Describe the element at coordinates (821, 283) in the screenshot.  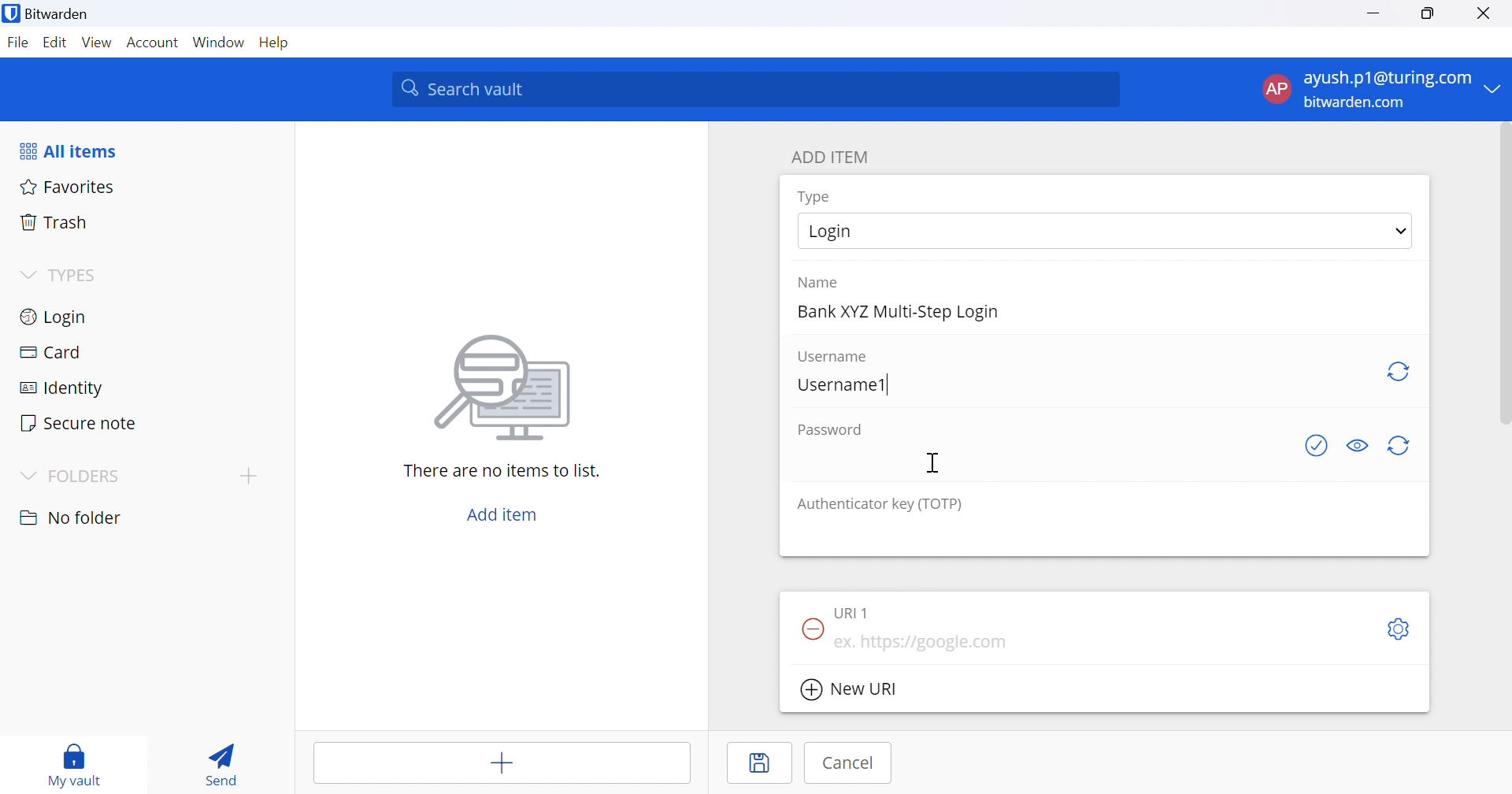
I see `Name` at that location.